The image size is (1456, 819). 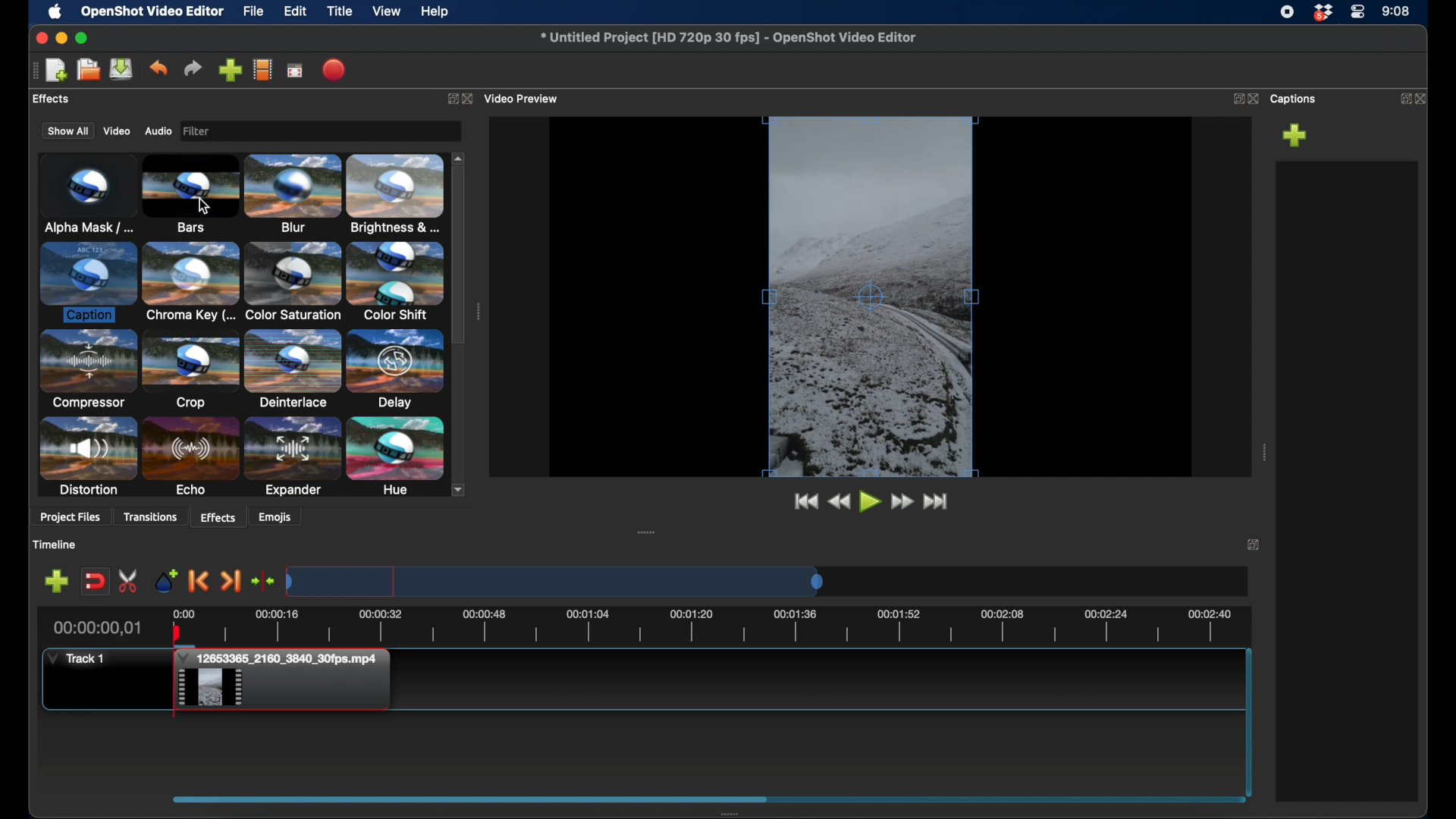 I want to click on audio, so click(x=158, y=131).